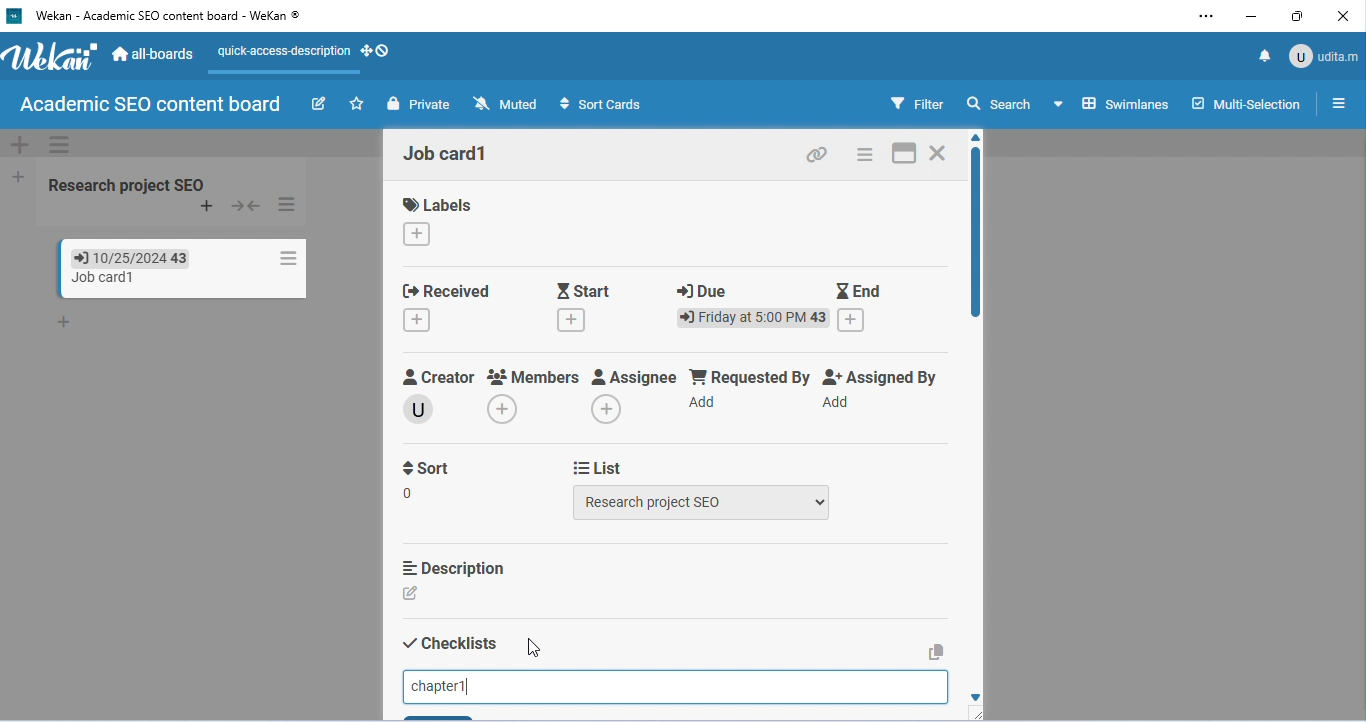  What do you see at coordinates (92, 278) in the screenshot?
I see `card name: Job card1` at bounding box center [92, 278].